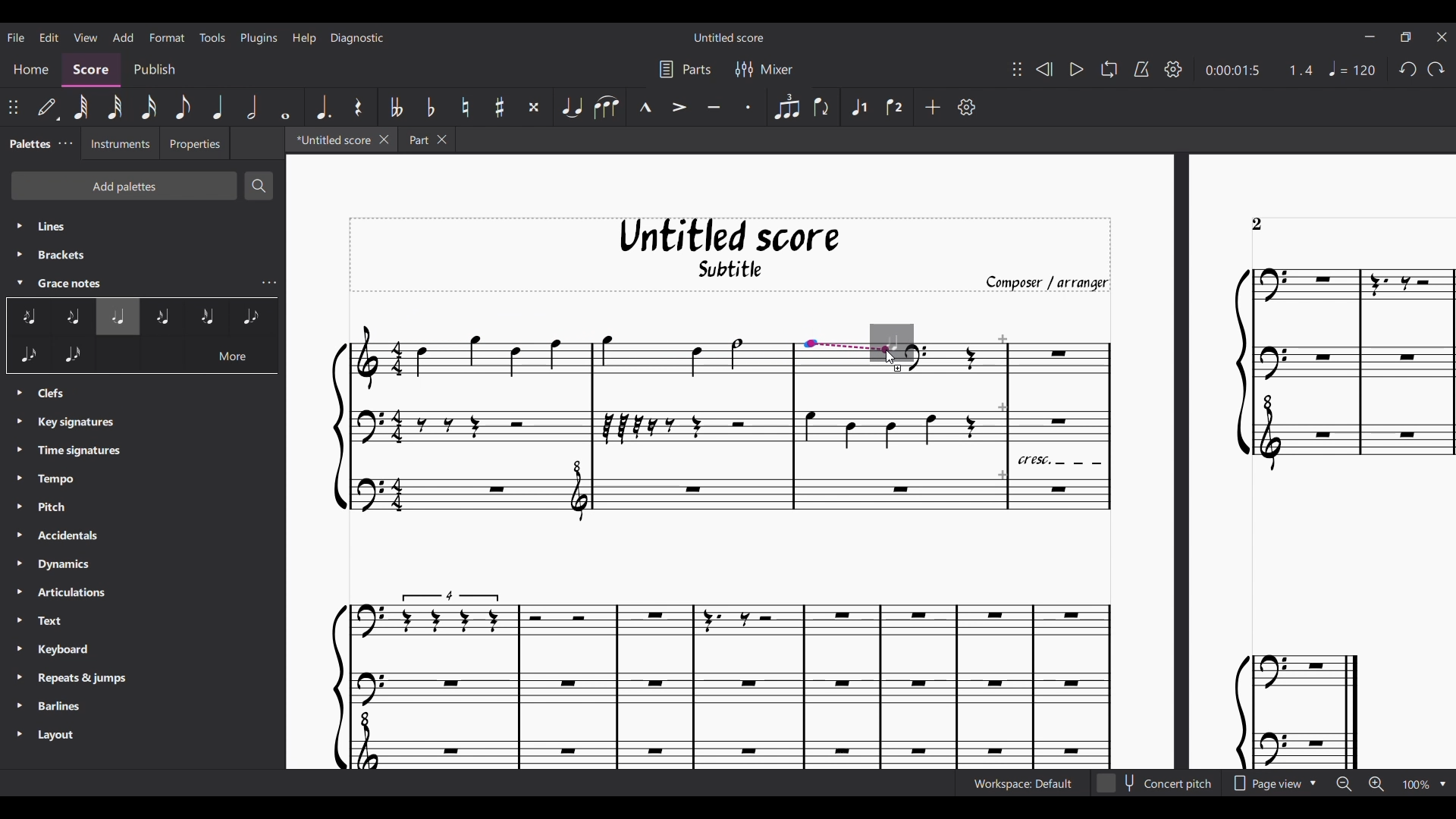  What do you see at coordinates (395, 107) in the screenshot?
I see `Toggle double flat` at bounding box center [395, 107].